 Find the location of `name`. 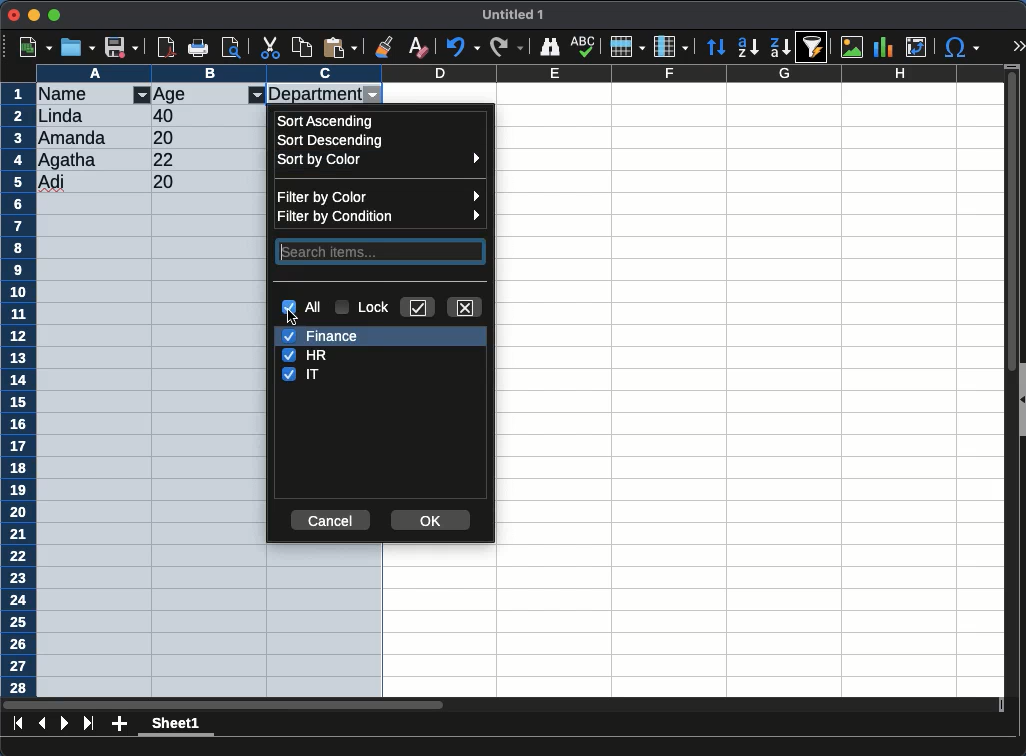

name is located at coordinates (73, 93).